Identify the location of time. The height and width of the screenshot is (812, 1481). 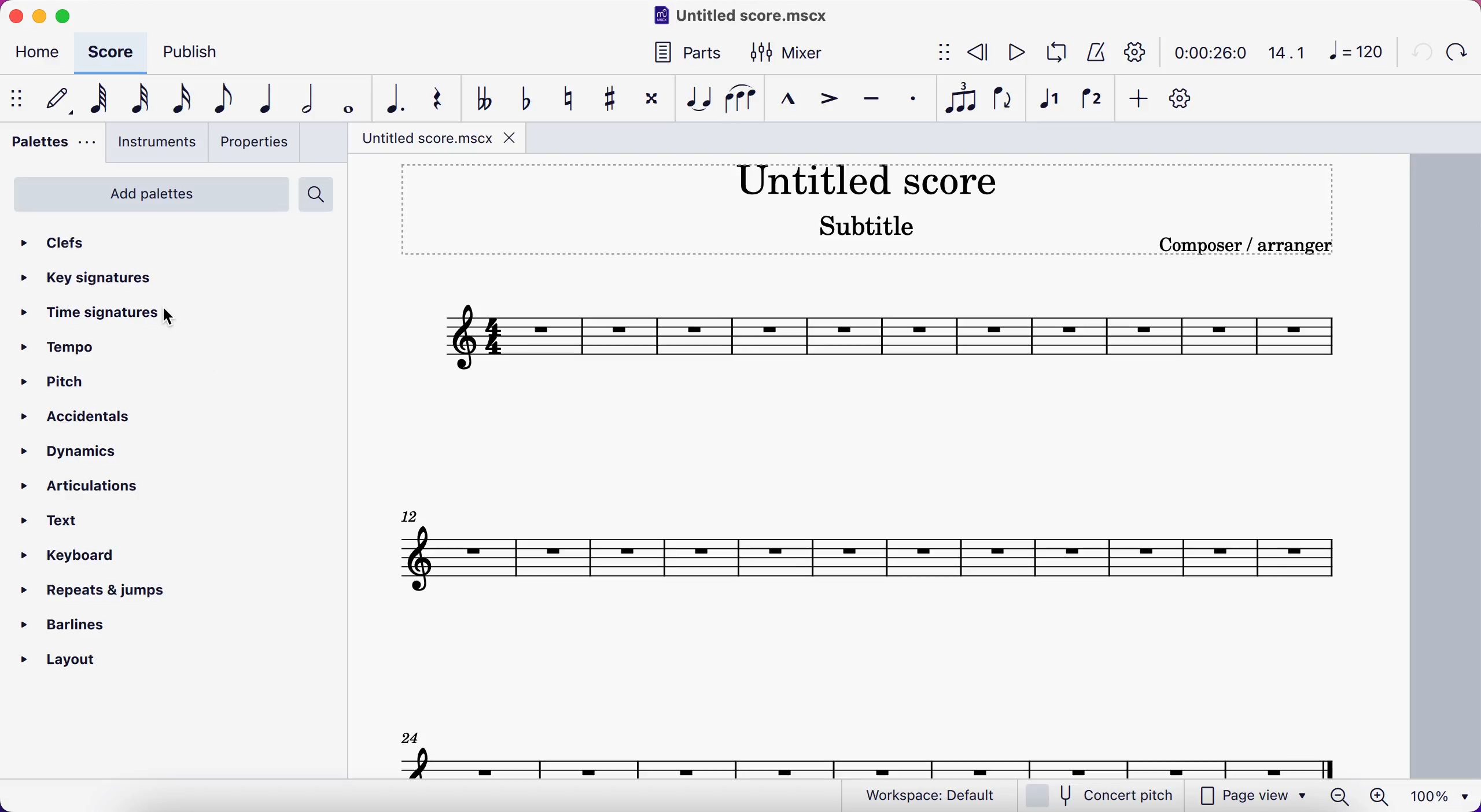
(1204, 53).